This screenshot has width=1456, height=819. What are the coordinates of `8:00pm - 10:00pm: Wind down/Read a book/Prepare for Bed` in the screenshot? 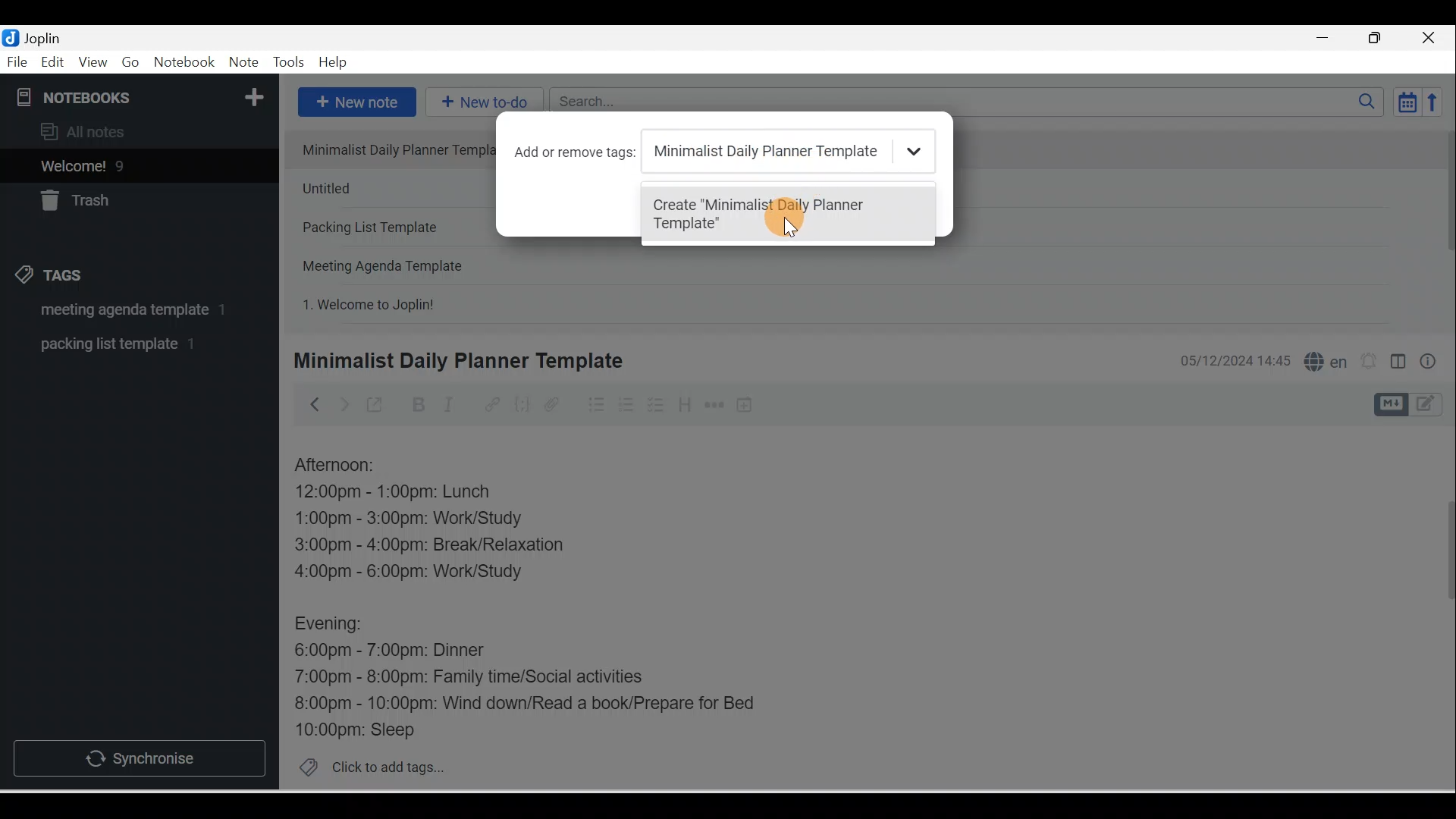 It's located at (526, 704).